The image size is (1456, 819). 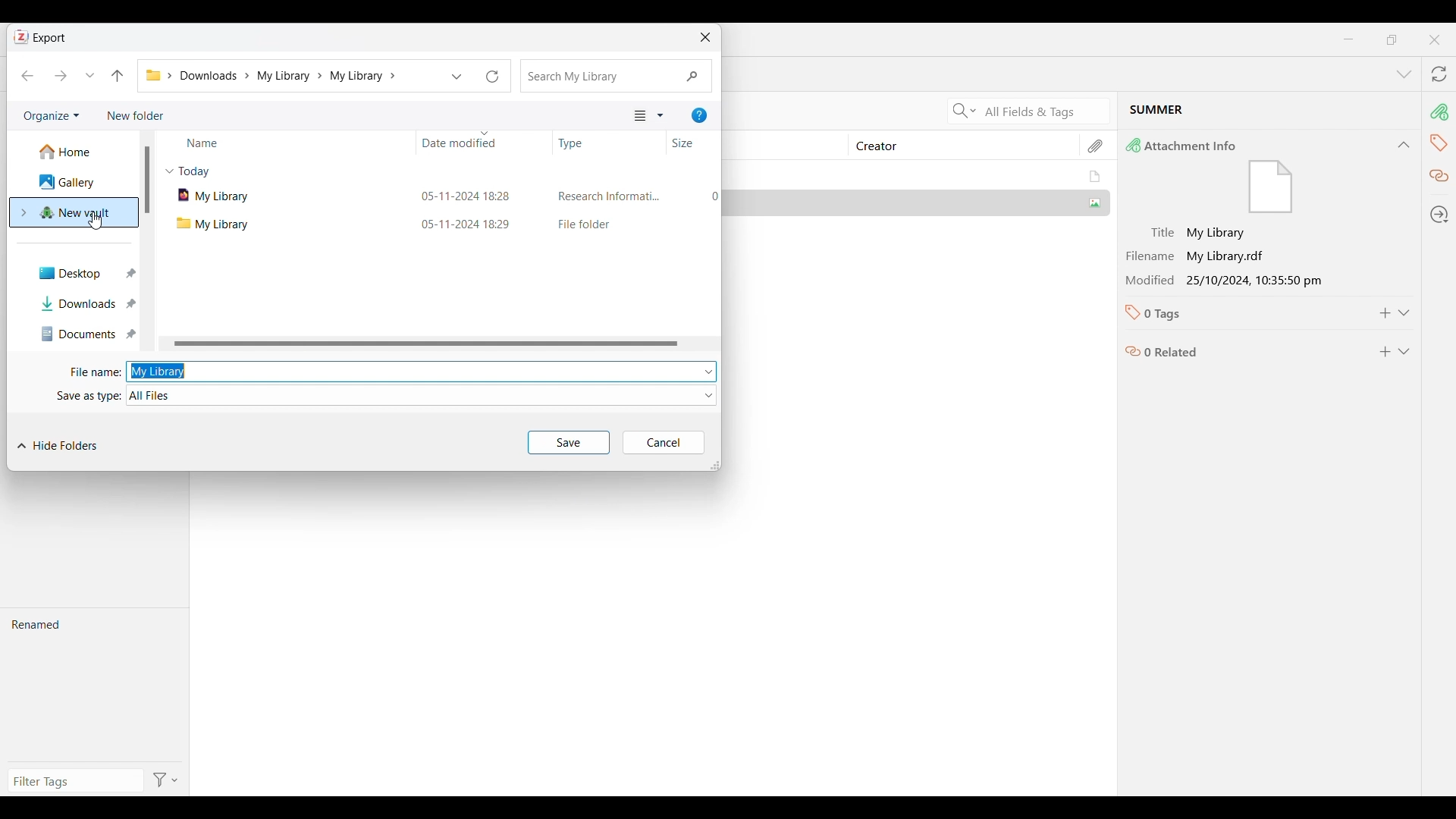 I want to click on Current selected file, so click(x=1269, y=112).